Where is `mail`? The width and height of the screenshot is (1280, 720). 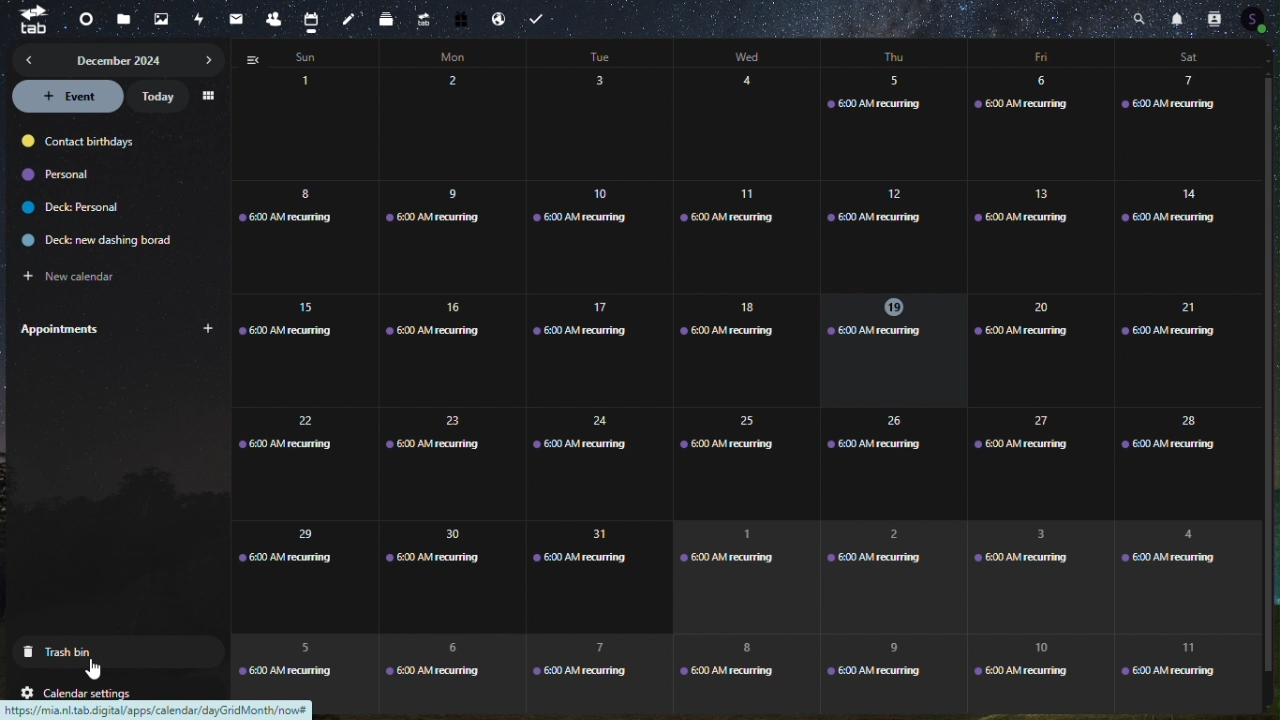
mail is located at coordinates (234, 20).